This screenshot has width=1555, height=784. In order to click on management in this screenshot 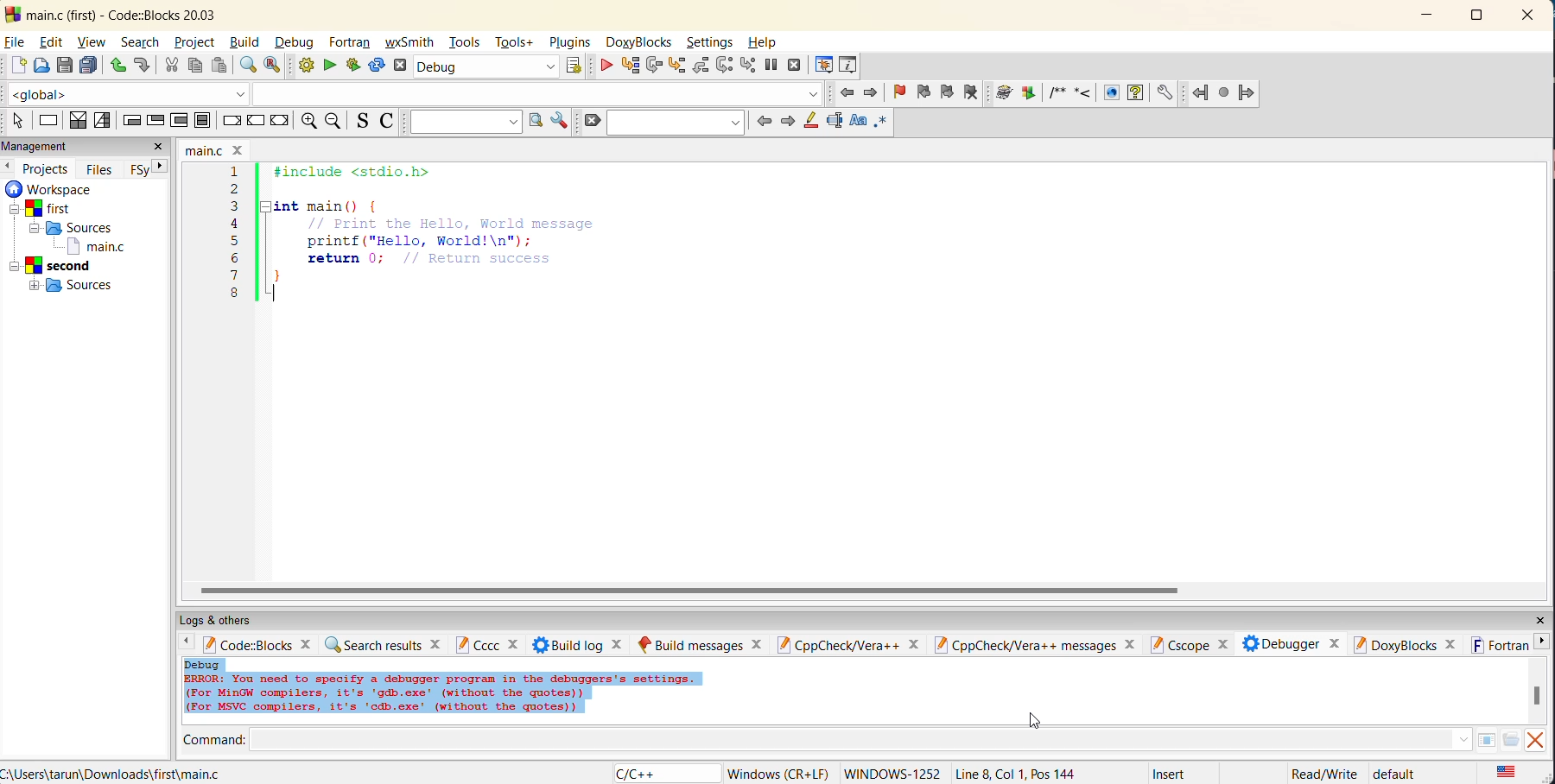, I will do `click(38, 145)`.